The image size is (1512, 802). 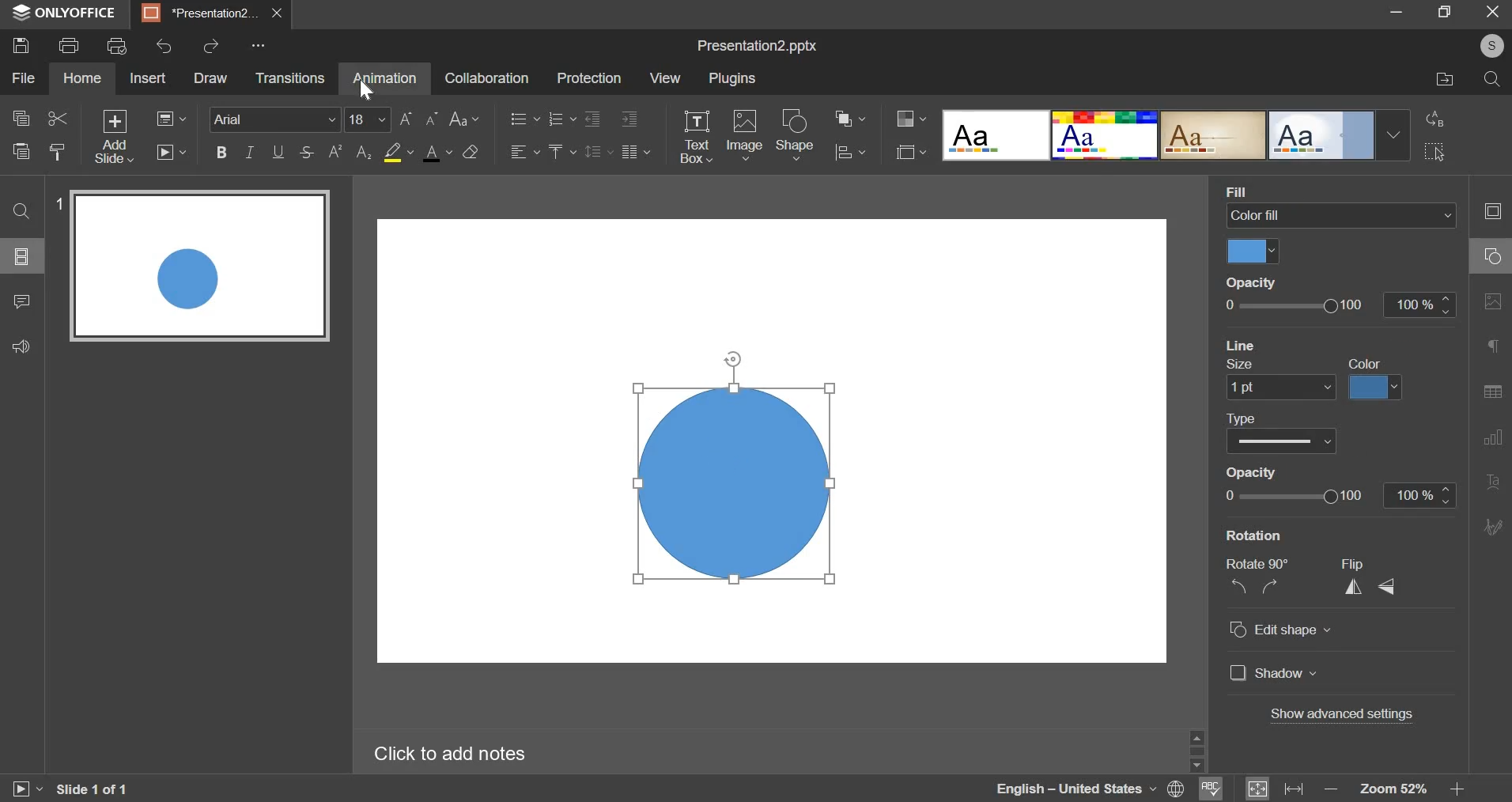 What do you see at coordinates (385, 78) in the screenshot?
I see `animation` at bounding box center [385, 78].